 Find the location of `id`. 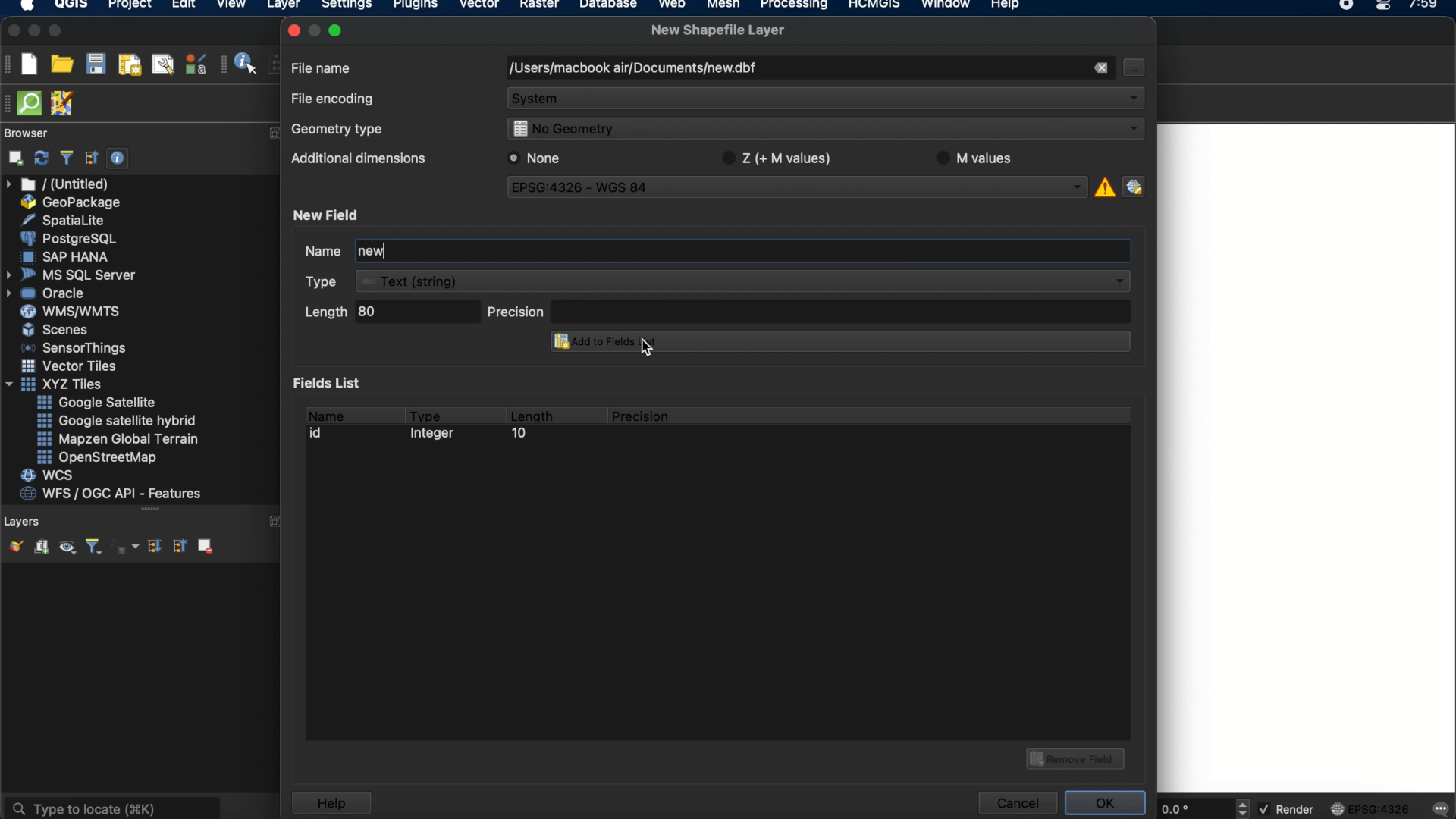

id is located at coordinates (320, 433).